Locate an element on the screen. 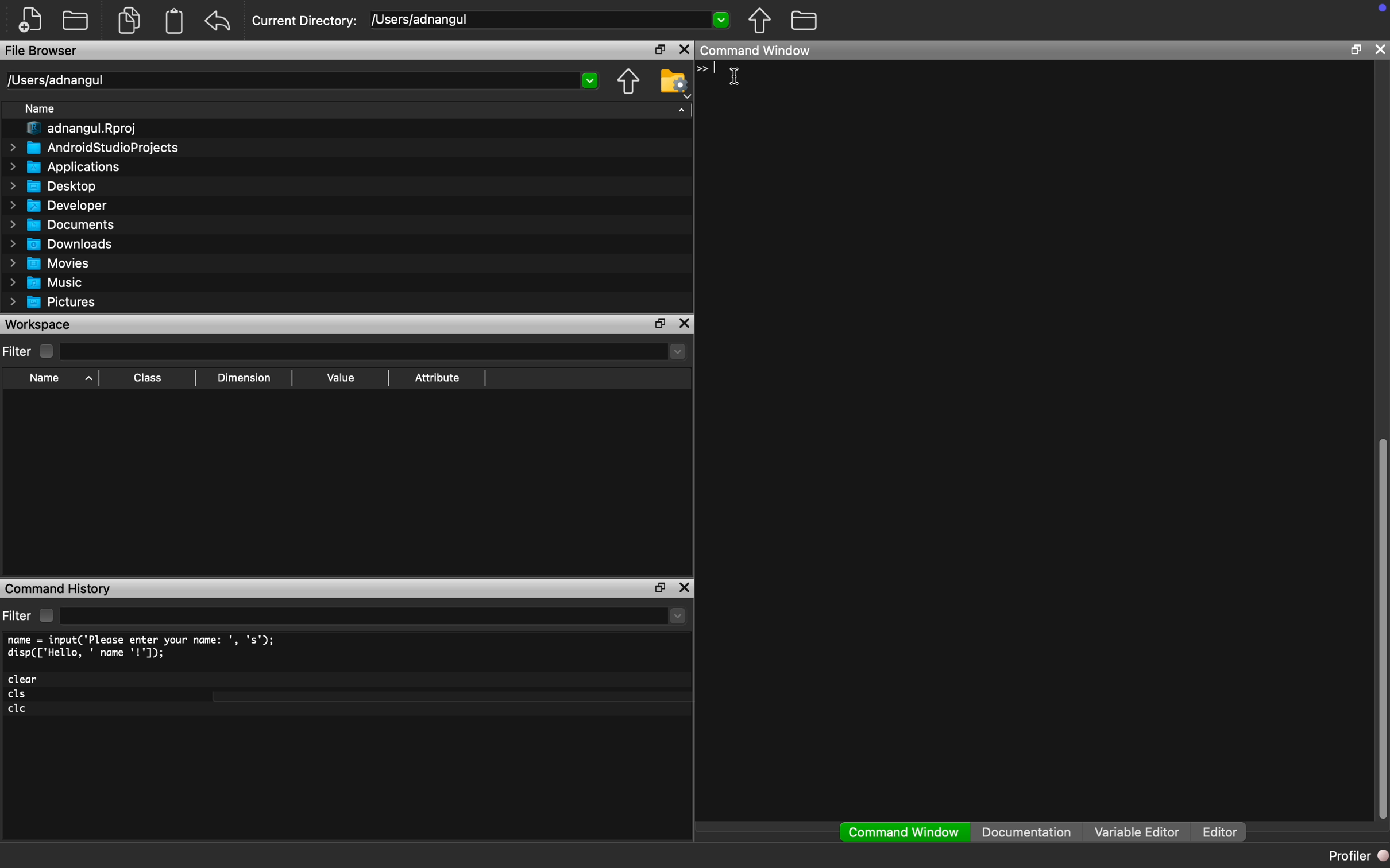  Command Window is located at coordinates (905, 832).